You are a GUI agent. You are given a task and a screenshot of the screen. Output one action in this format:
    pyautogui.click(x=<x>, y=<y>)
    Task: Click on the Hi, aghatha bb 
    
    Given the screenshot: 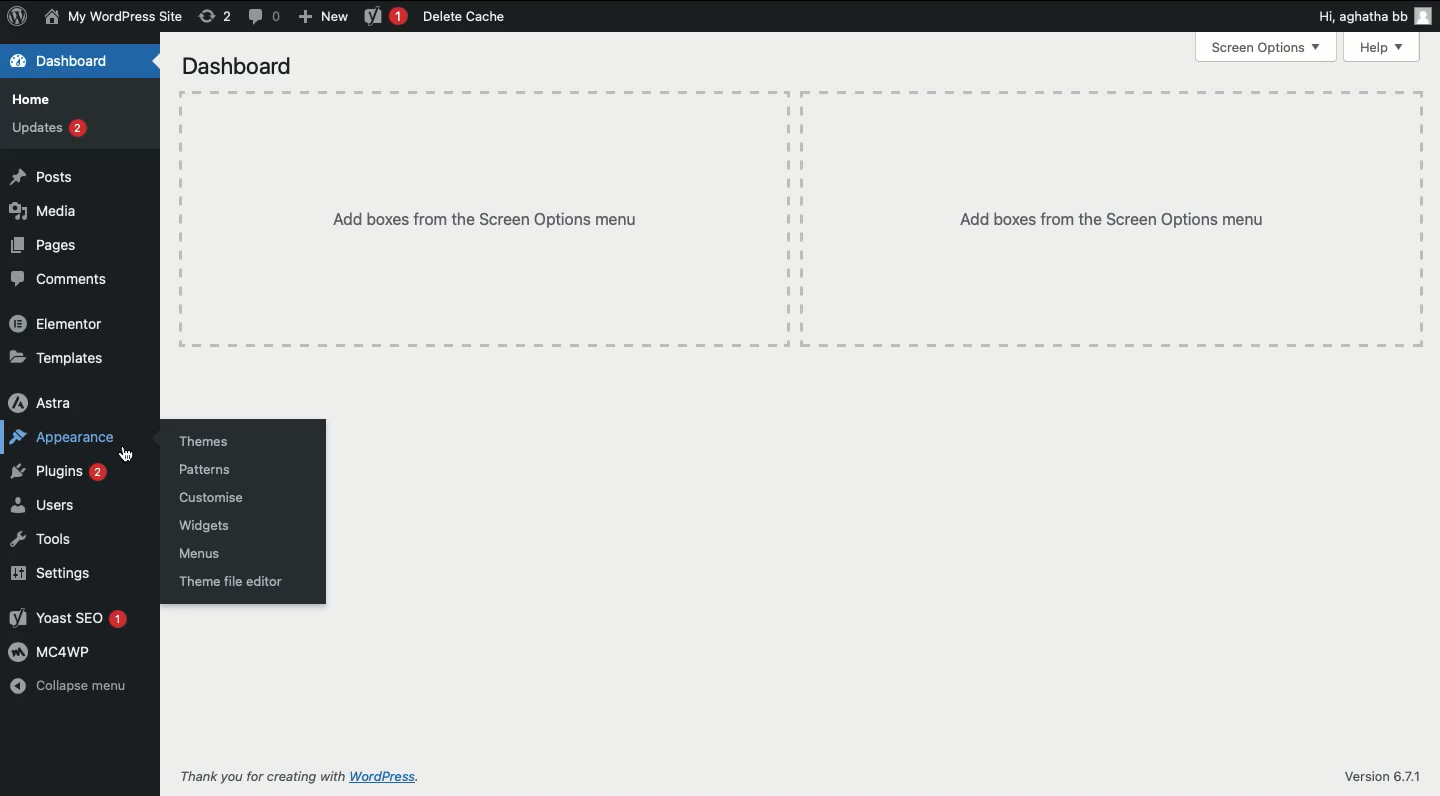 What is the action you would take?
    pyautogui.click(x=1368, y=15)
    